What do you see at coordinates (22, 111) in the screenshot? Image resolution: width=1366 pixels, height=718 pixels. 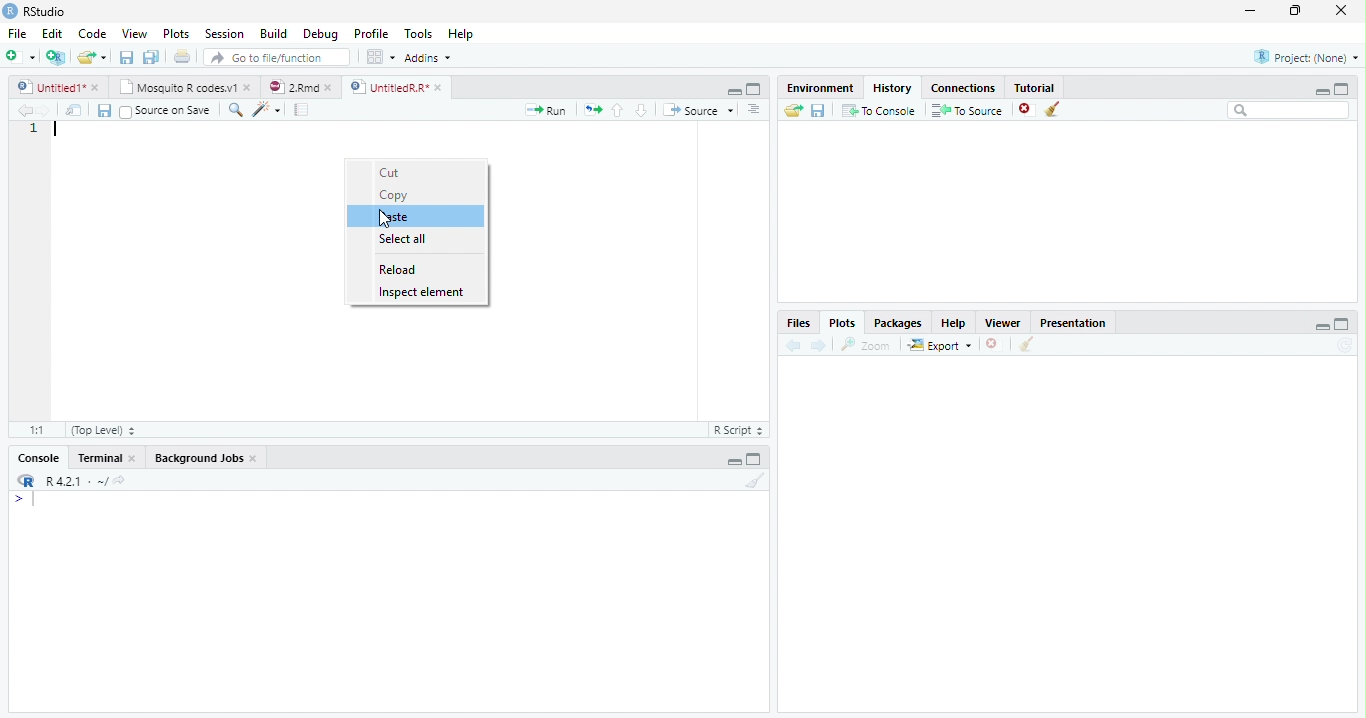 I see `Previous` at bounding box center [22, 111].